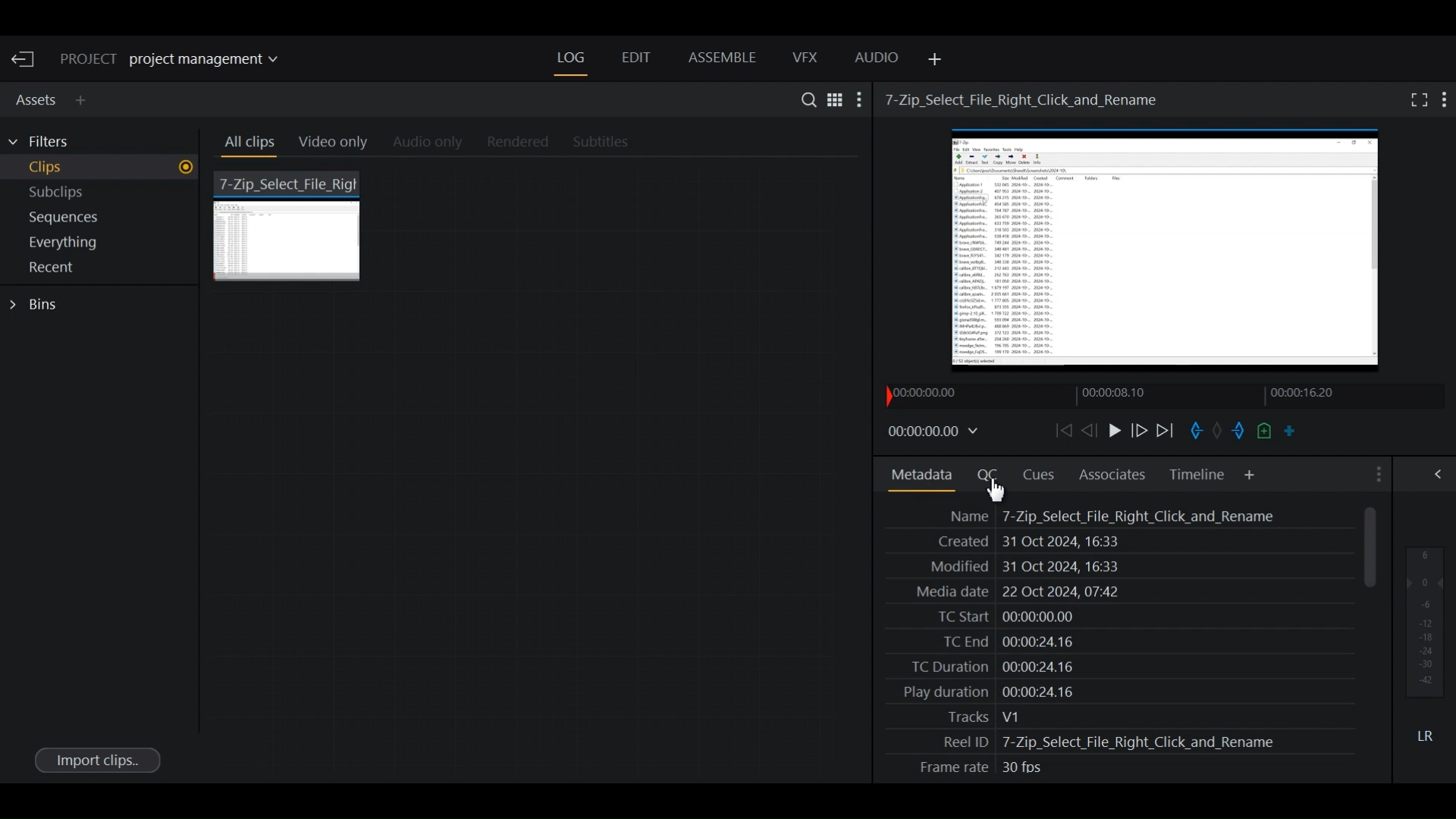  What do you see at coordinates (1098, 588) in the screenshot?
I see `Media date ` at bounding box center [1098, 588].